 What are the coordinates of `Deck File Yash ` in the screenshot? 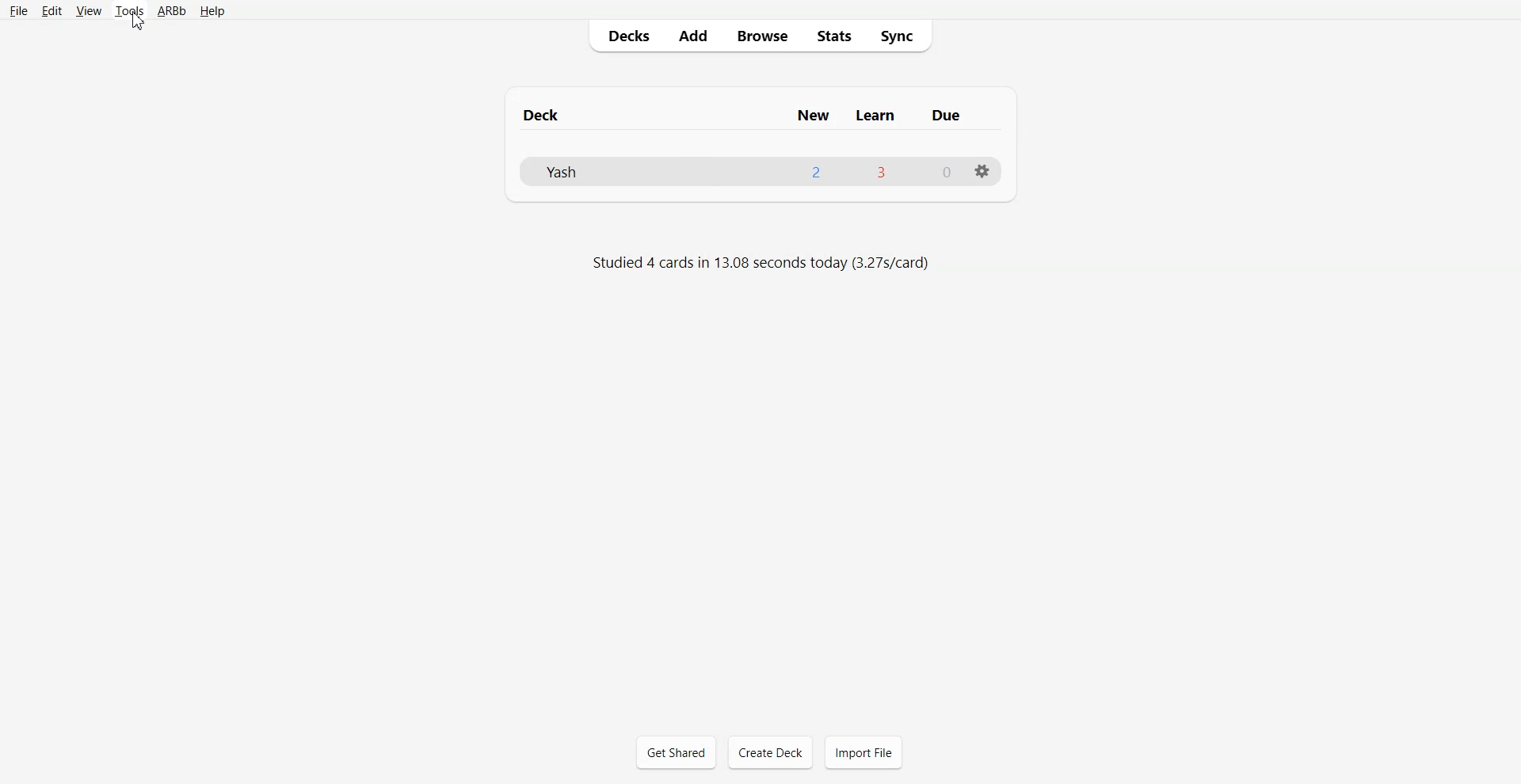 It's located at (759, 171).